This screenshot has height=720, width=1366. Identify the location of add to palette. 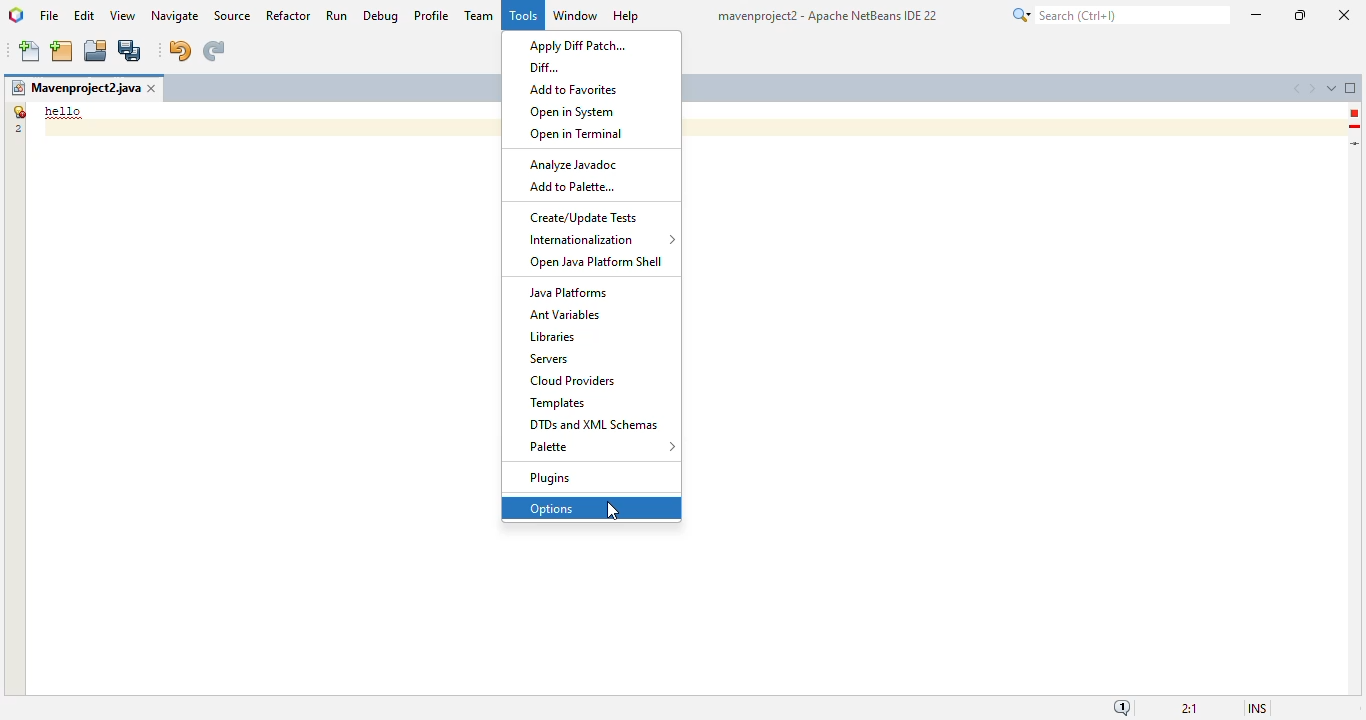
(572, 186).